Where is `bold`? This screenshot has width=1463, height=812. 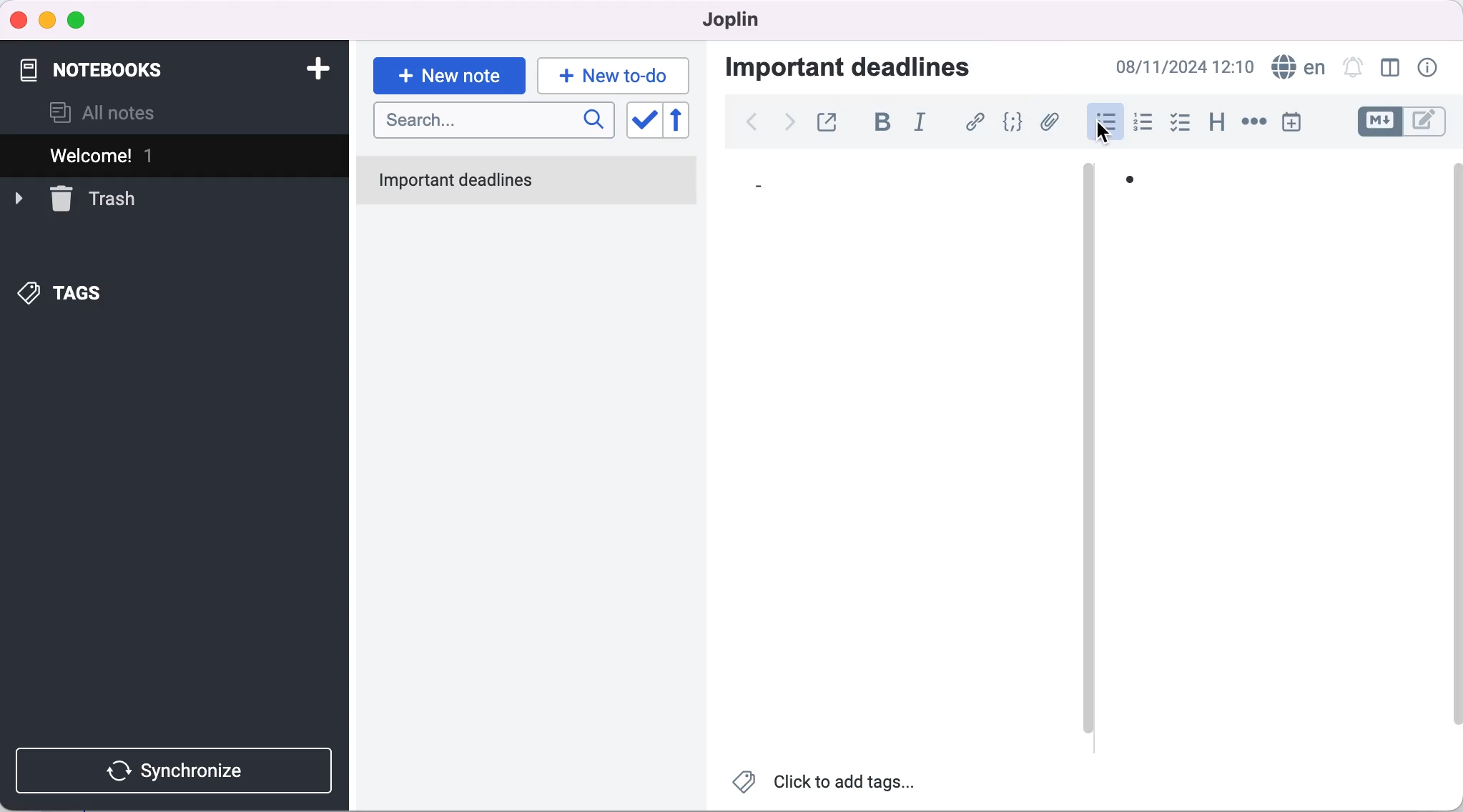 bold is located at coordinates (876, 124).